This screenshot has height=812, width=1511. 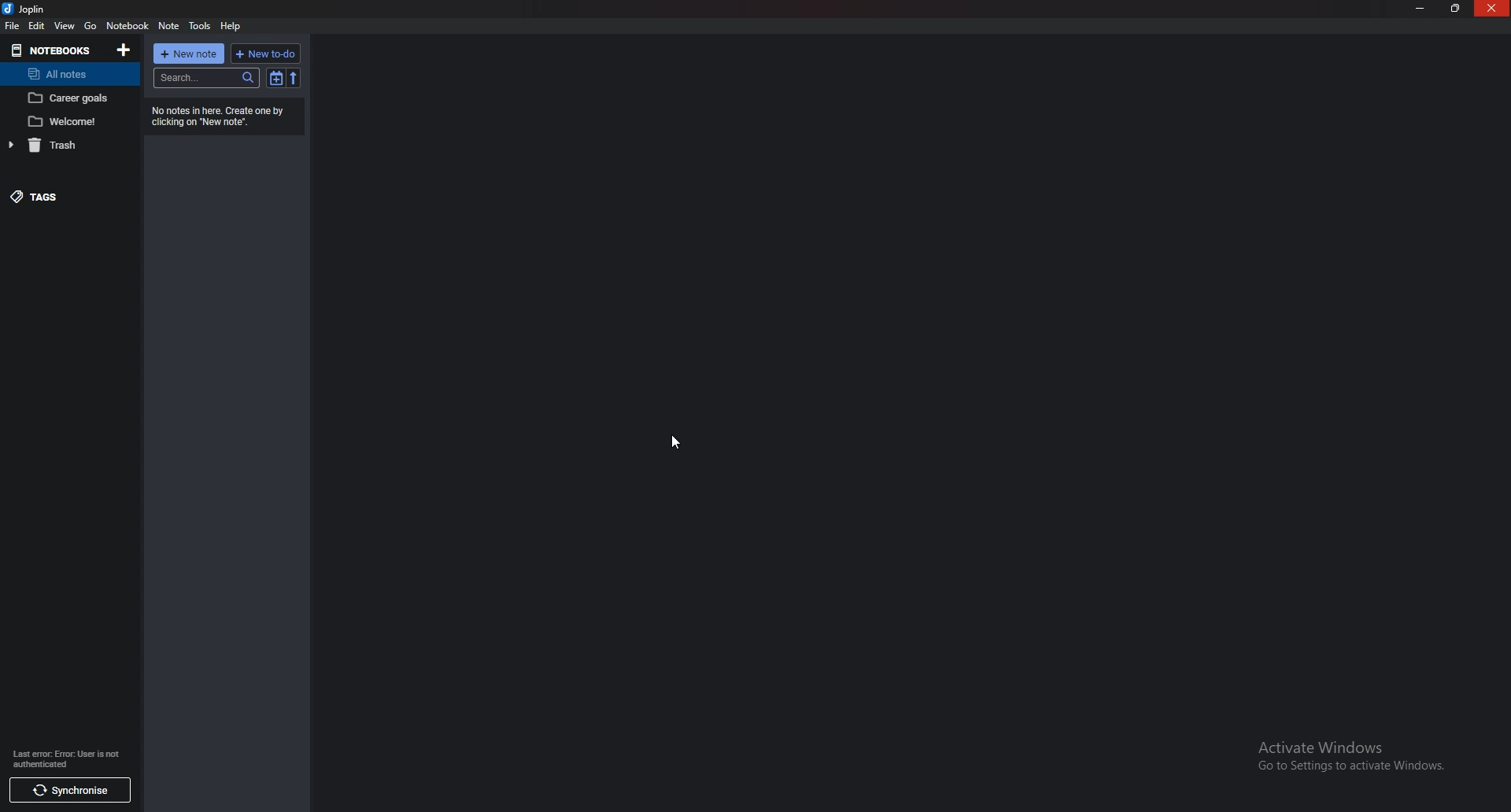 What do you see at coordinates (13, 26) in the screenshot?
I see `file` at bounding box center [13, 26].